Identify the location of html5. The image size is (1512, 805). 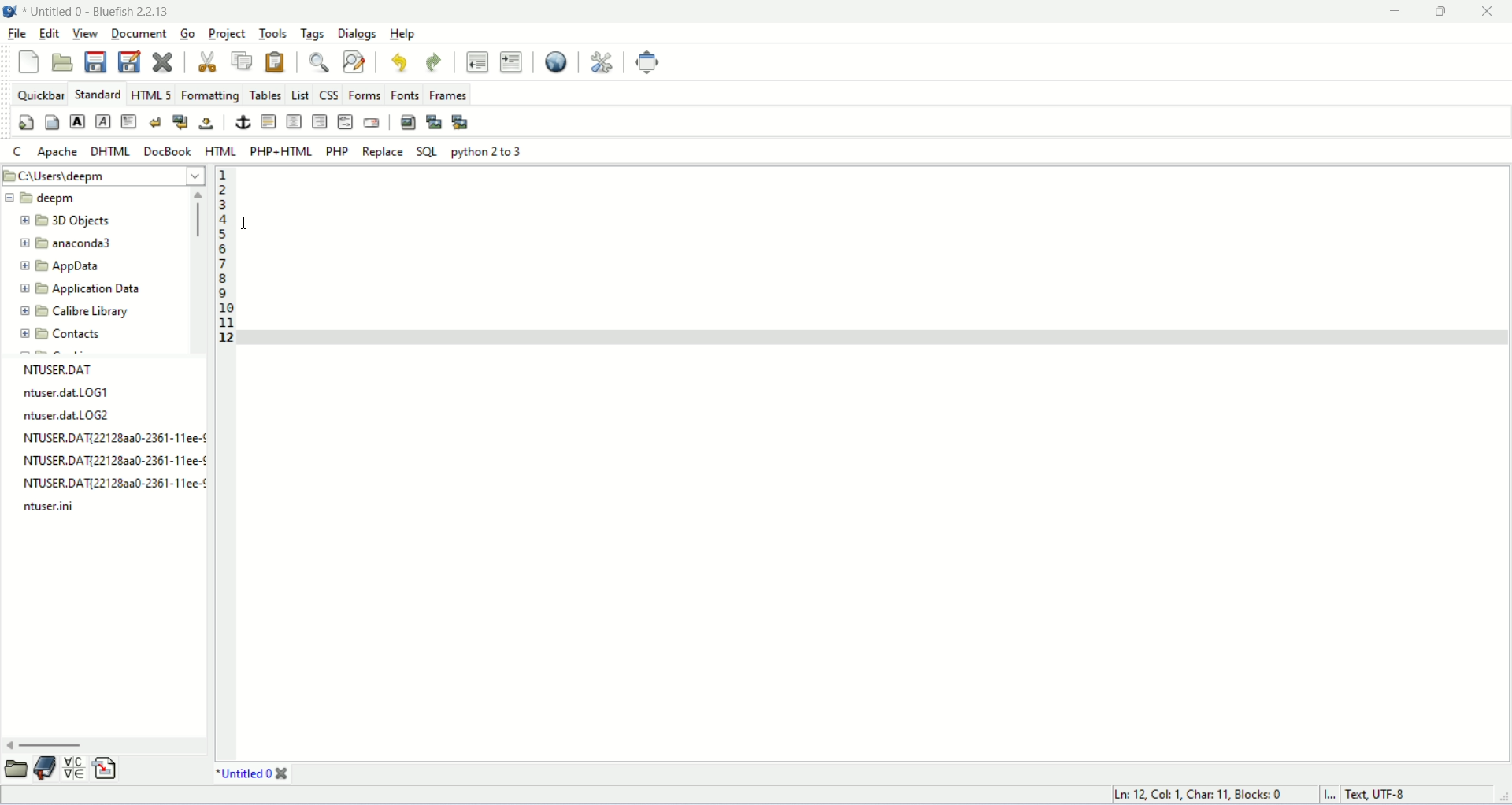
(151, 95).